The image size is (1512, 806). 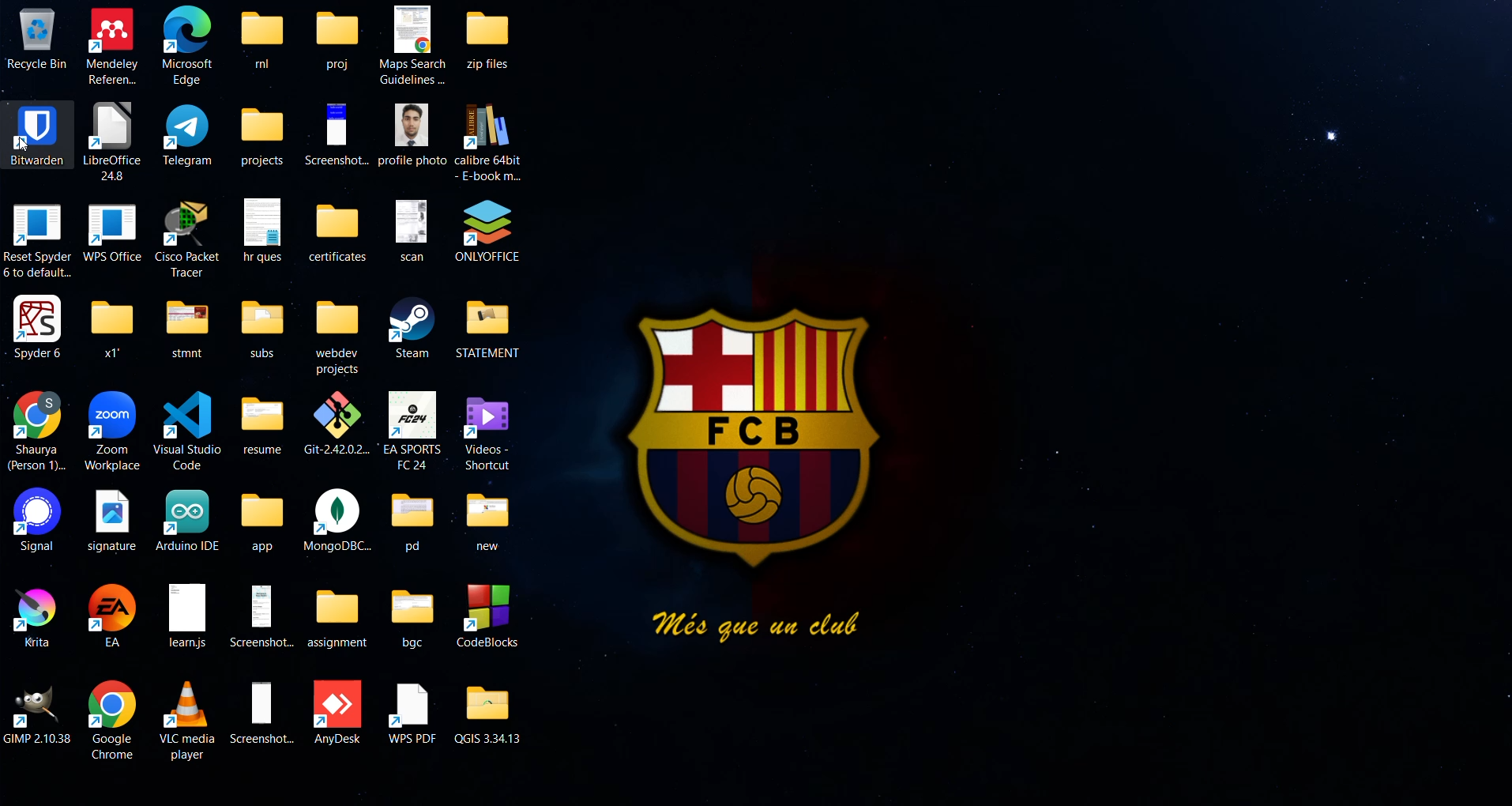 I want to click on zip files, so click(x=496, y=38).